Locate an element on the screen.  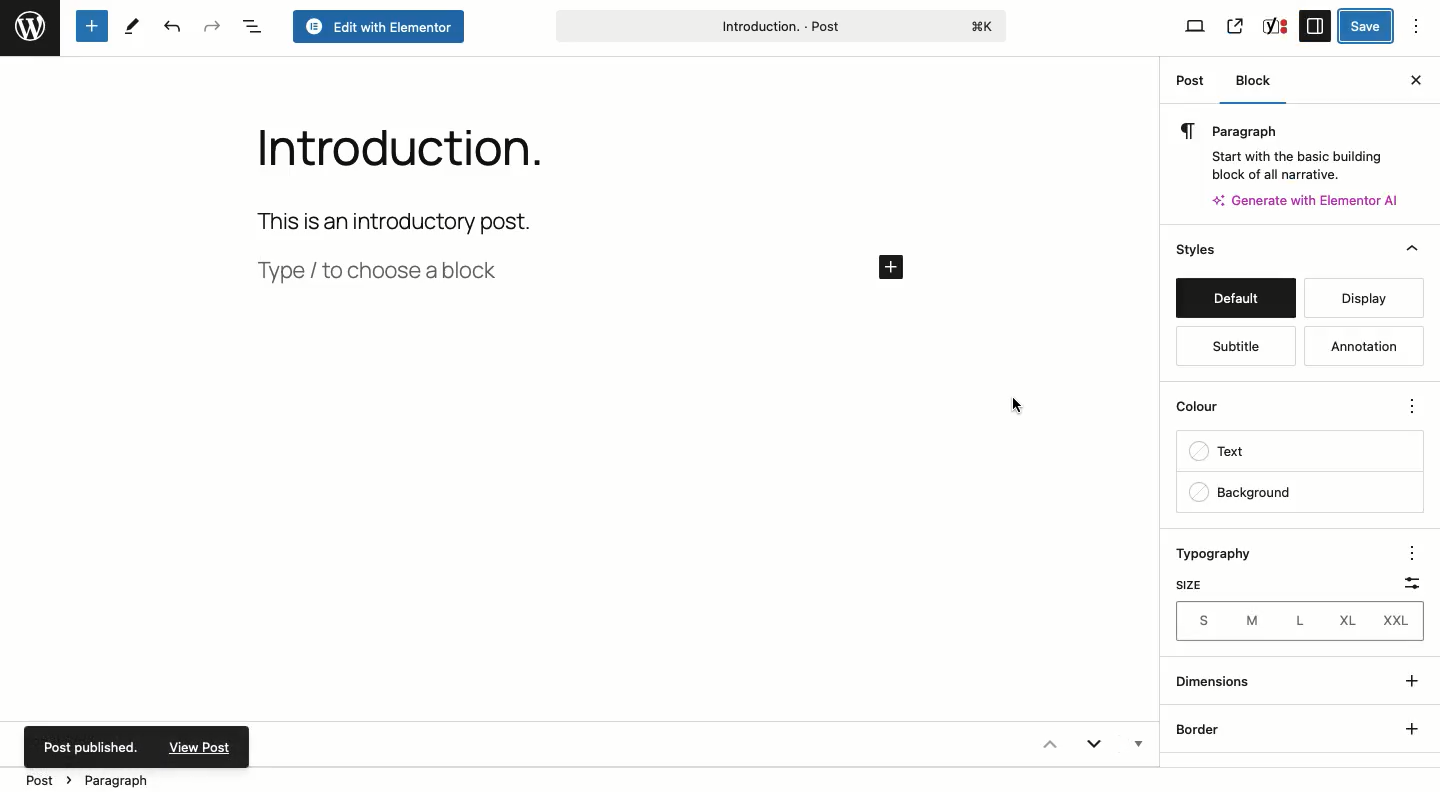
Options is located at coordinates (1411, 408).